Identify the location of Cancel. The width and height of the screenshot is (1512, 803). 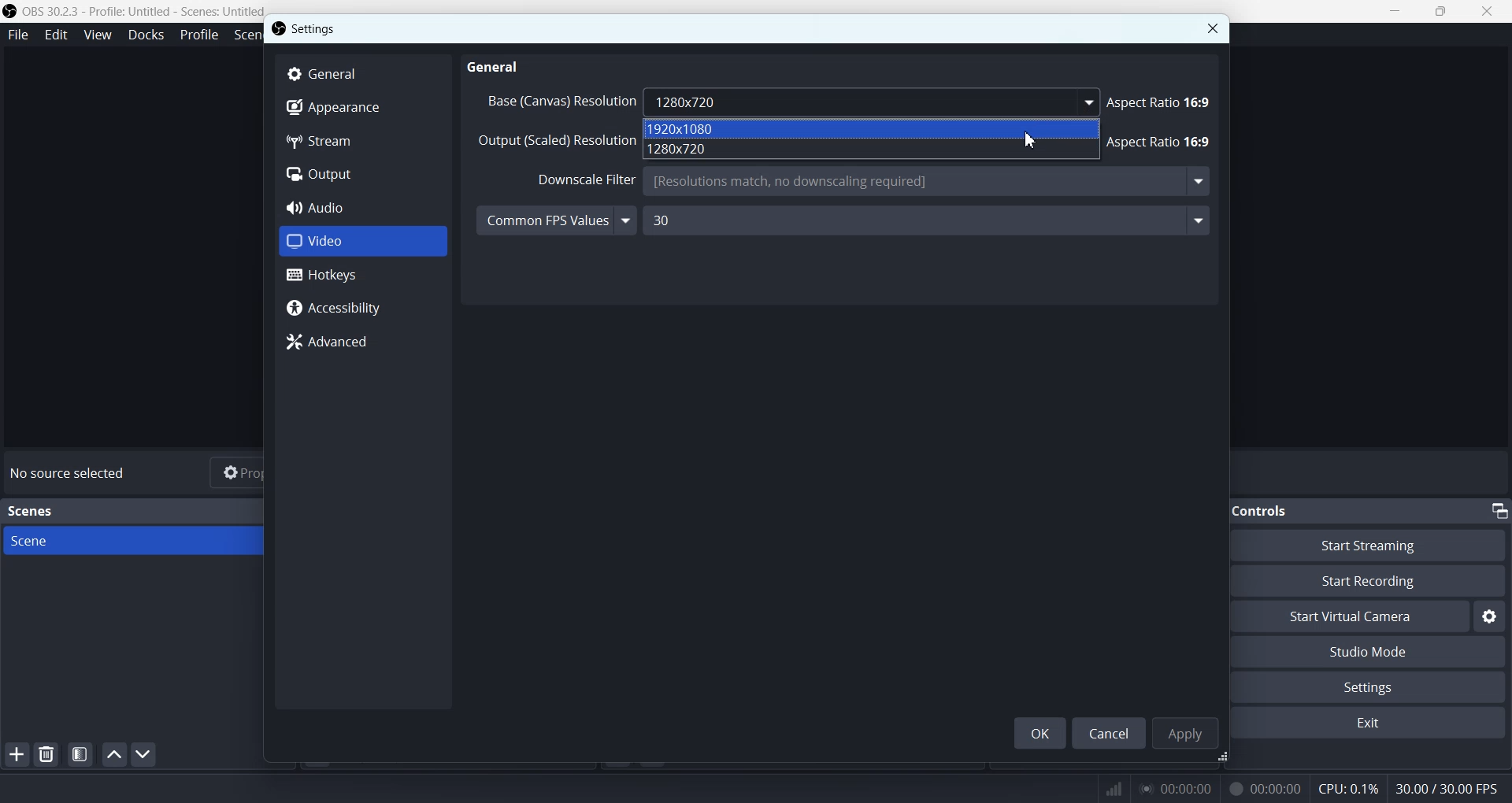
(1109, 732).